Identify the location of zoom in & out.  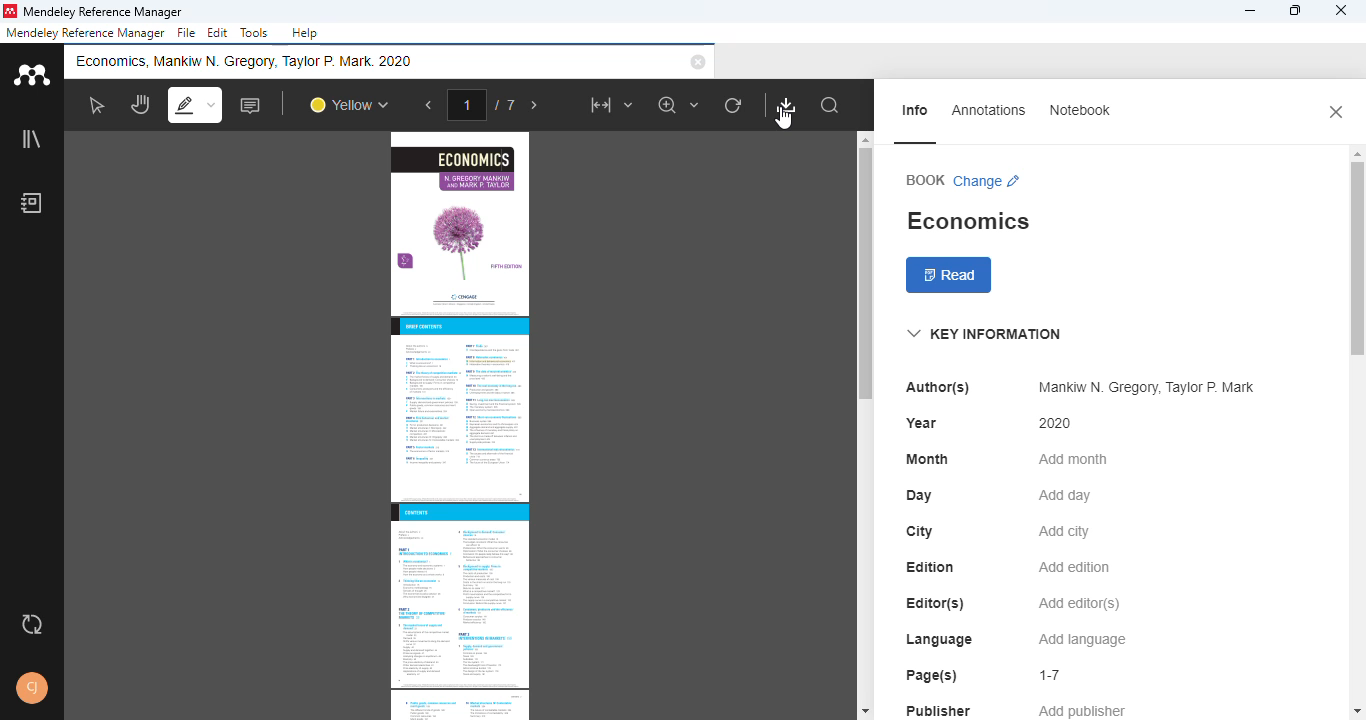
(680, 105).